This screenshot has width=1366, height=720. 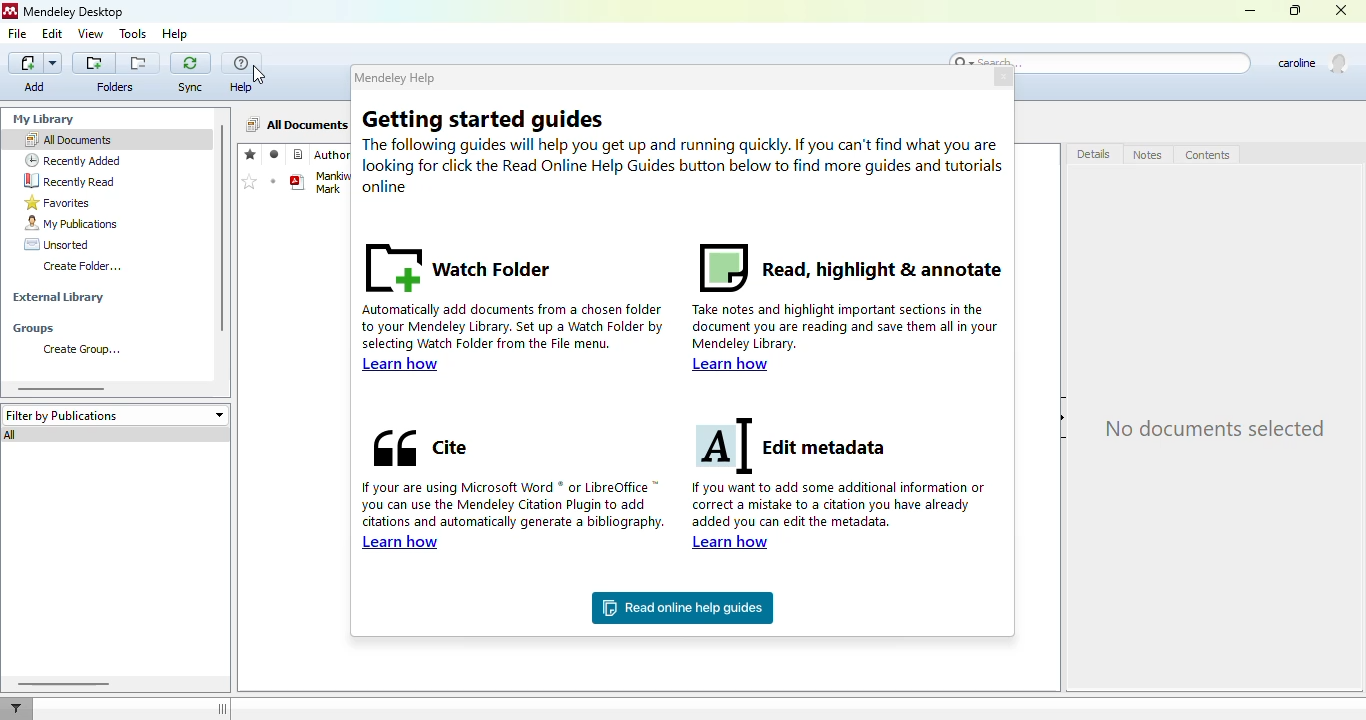 What do you see at coordinates (846, 327) in the screenshot?
I see `take notes and highlight important sections in the document you are reading and save them all in your mendeley library.` at bounding box center [846, 327].